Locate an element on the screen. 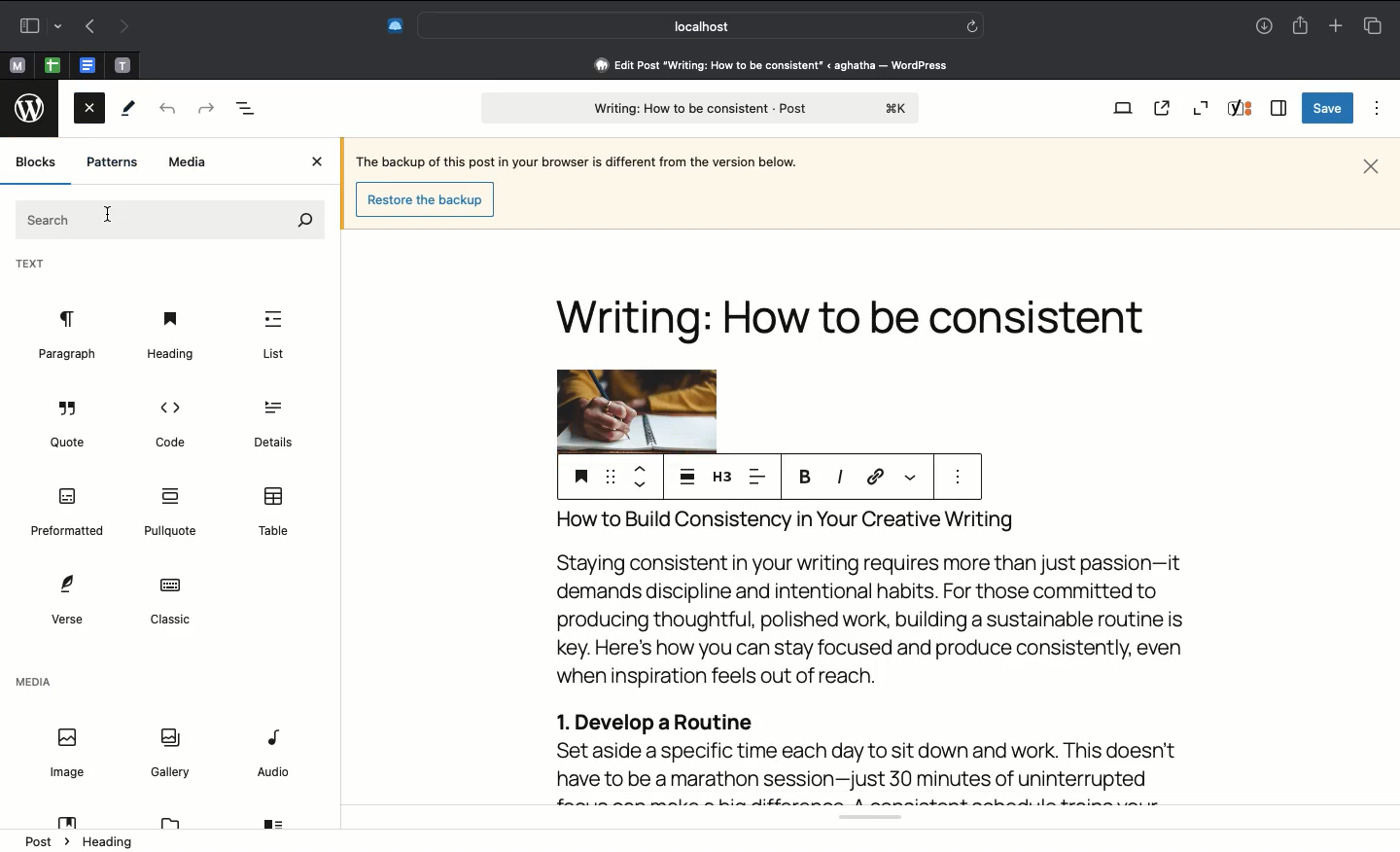  Options is located at coordinates (1379, 109).